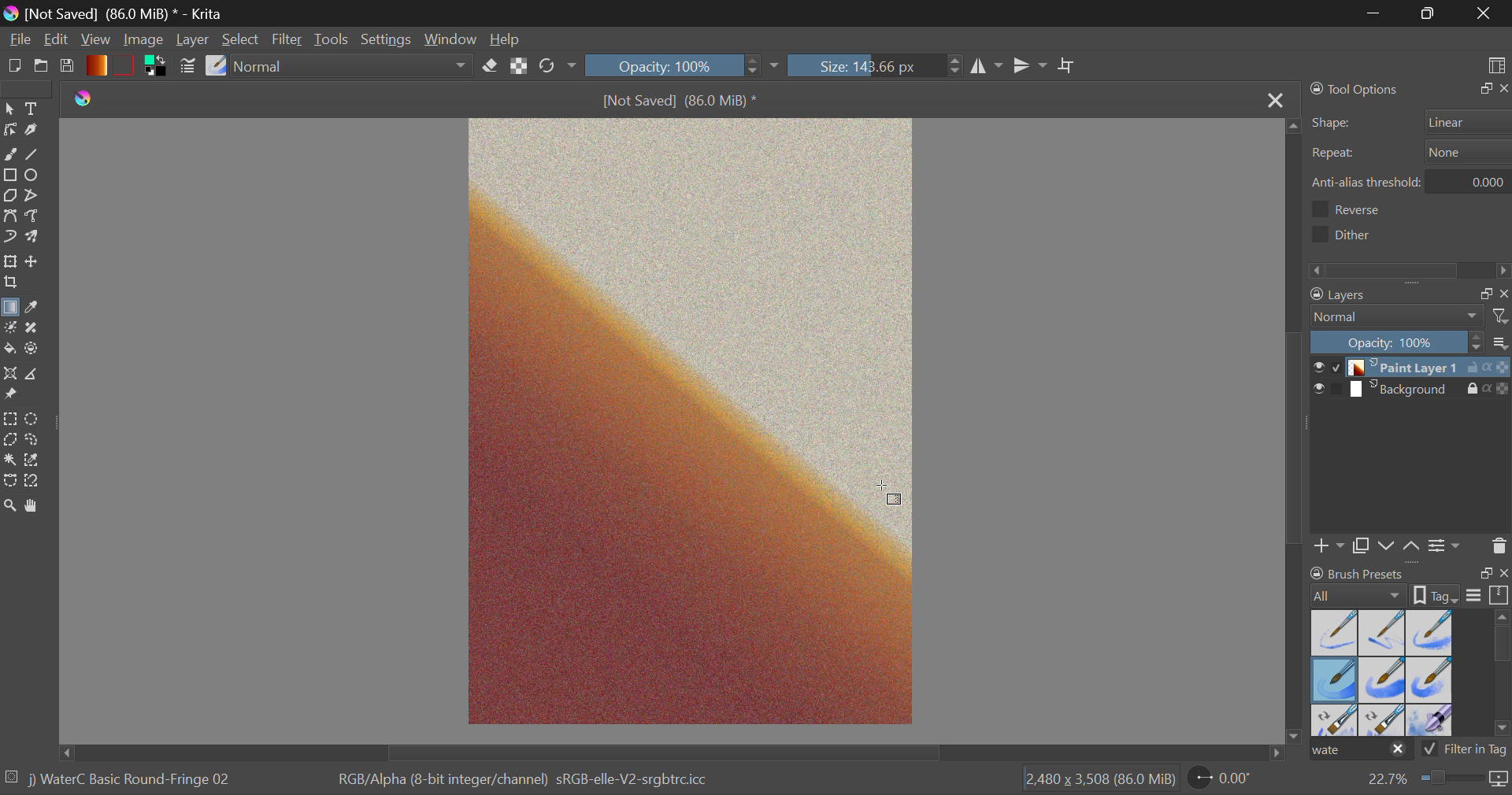  I want to click on Gradient, so click(96, 65).